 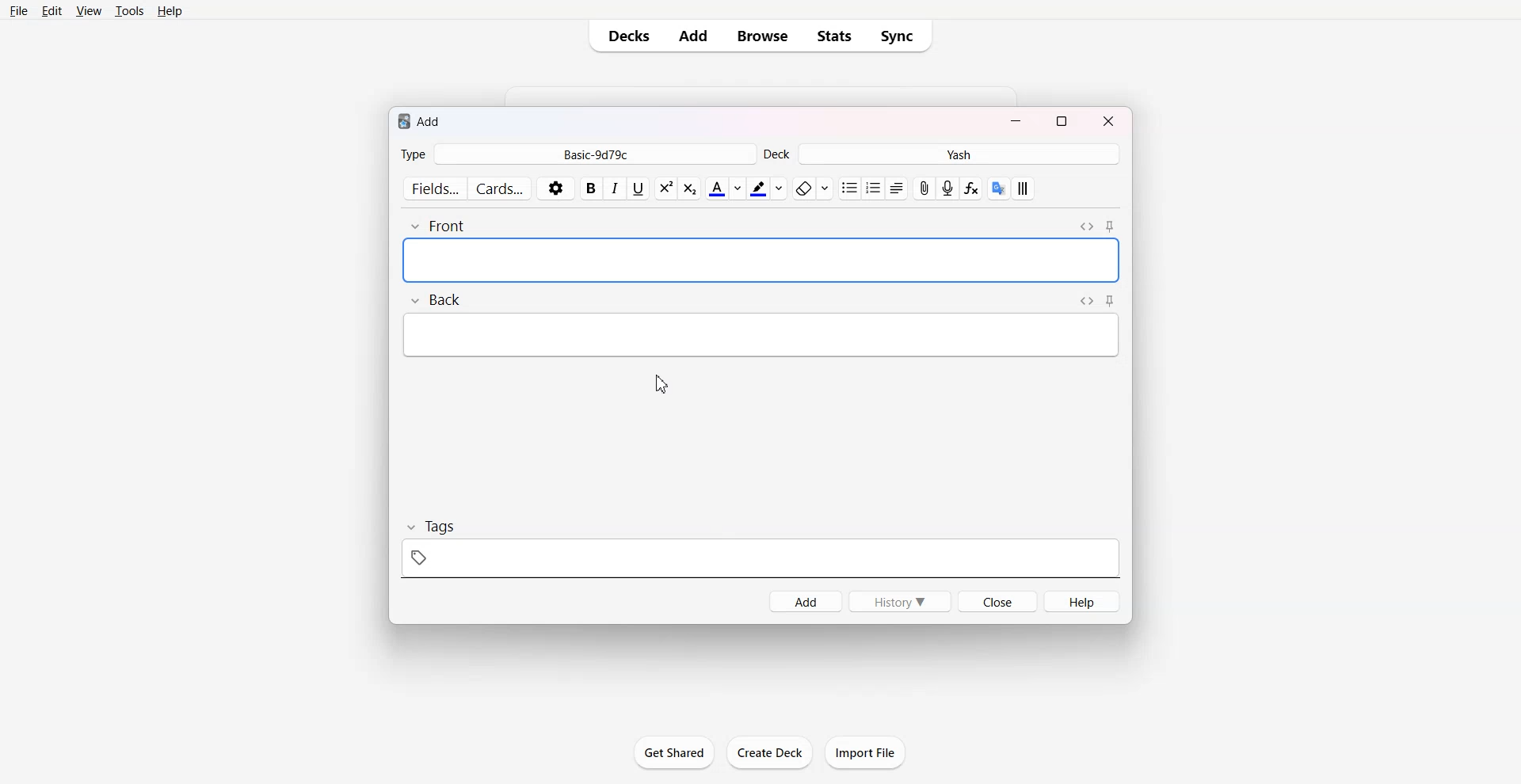 I want to click on Italic, so click(x=616, y=189).